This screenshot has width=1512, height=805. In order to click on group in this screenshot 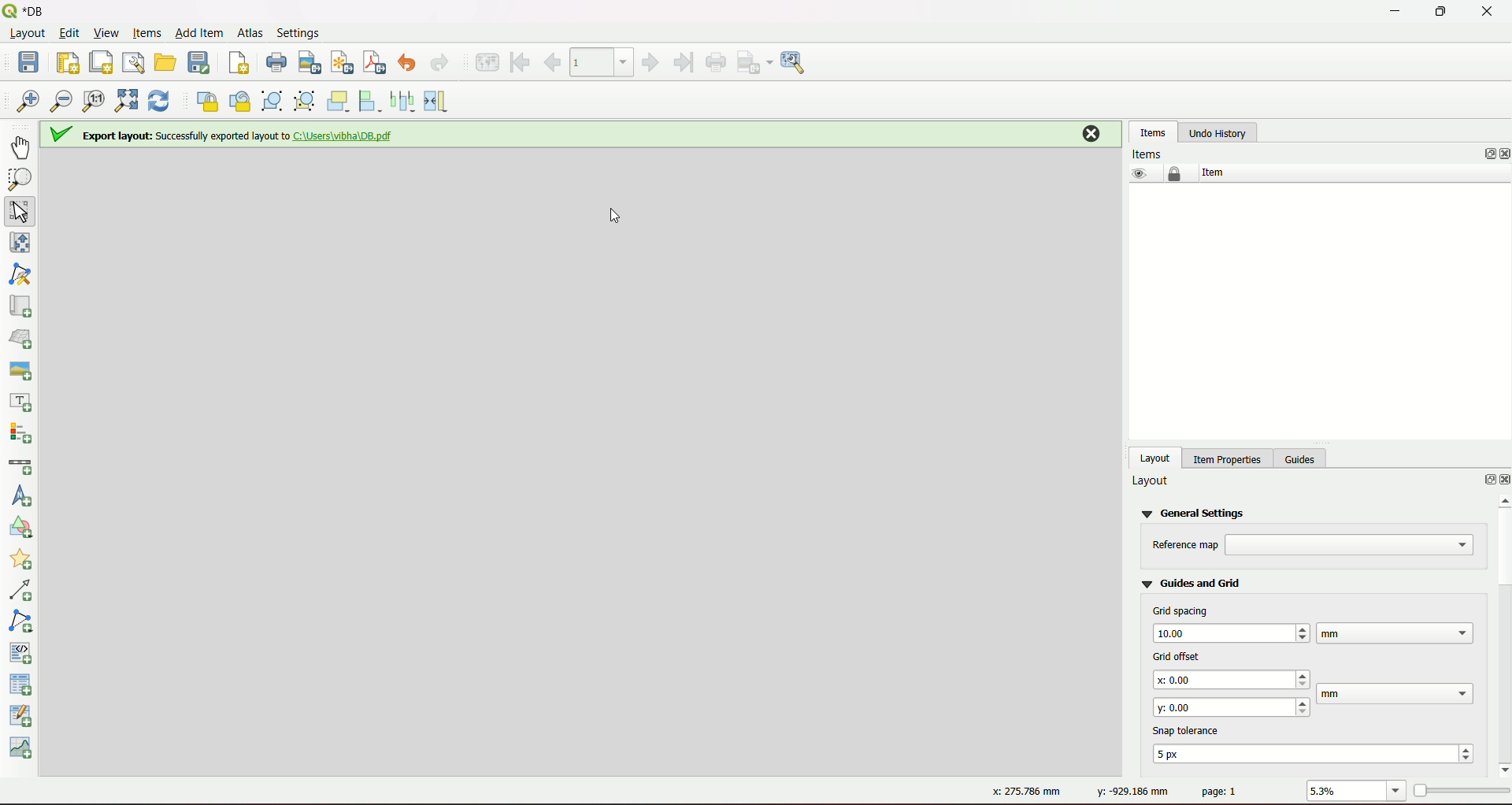, I will do `click(272, 102)`.